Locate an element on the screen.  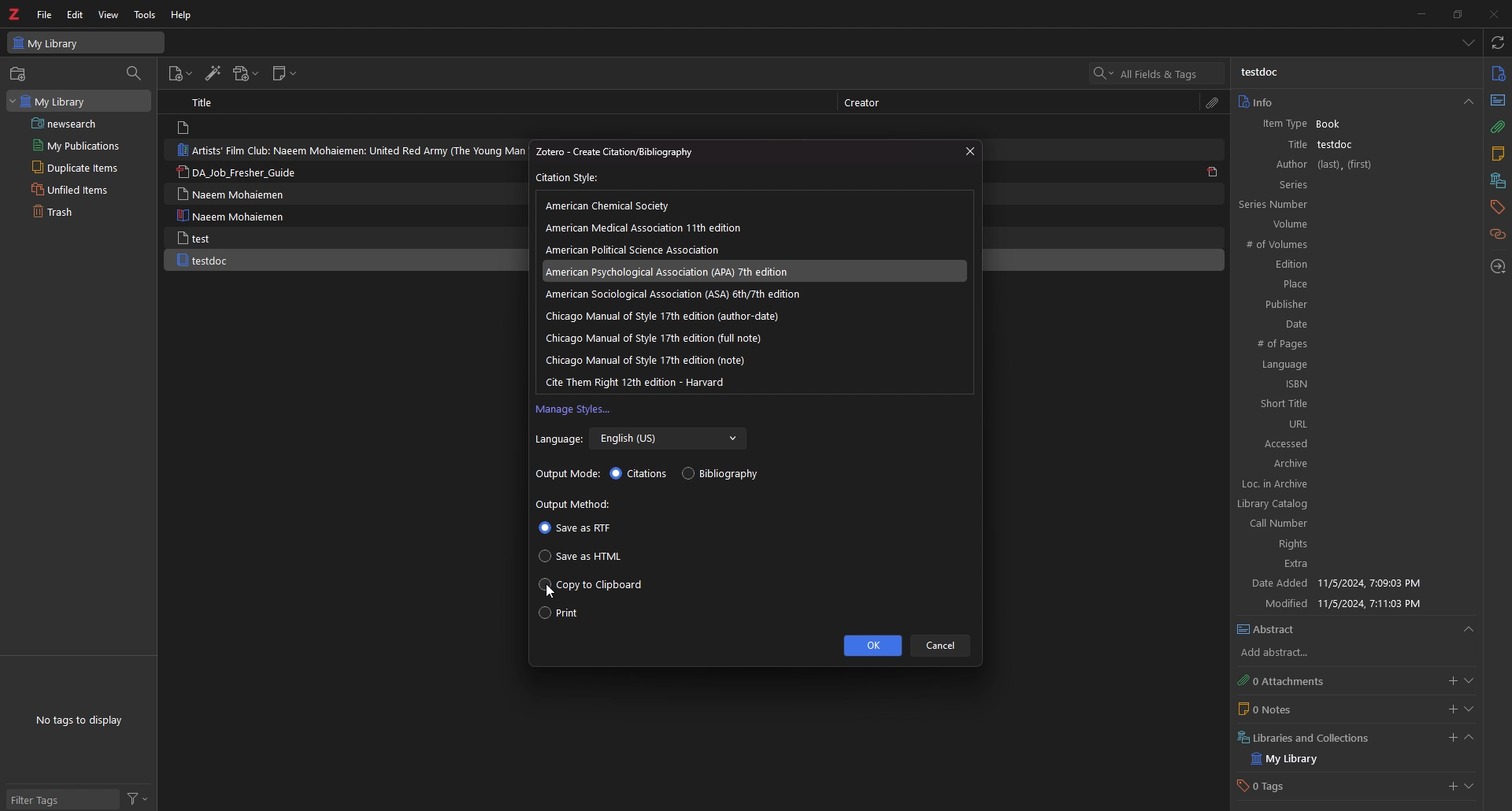
view is located at coordinates (109, 15).